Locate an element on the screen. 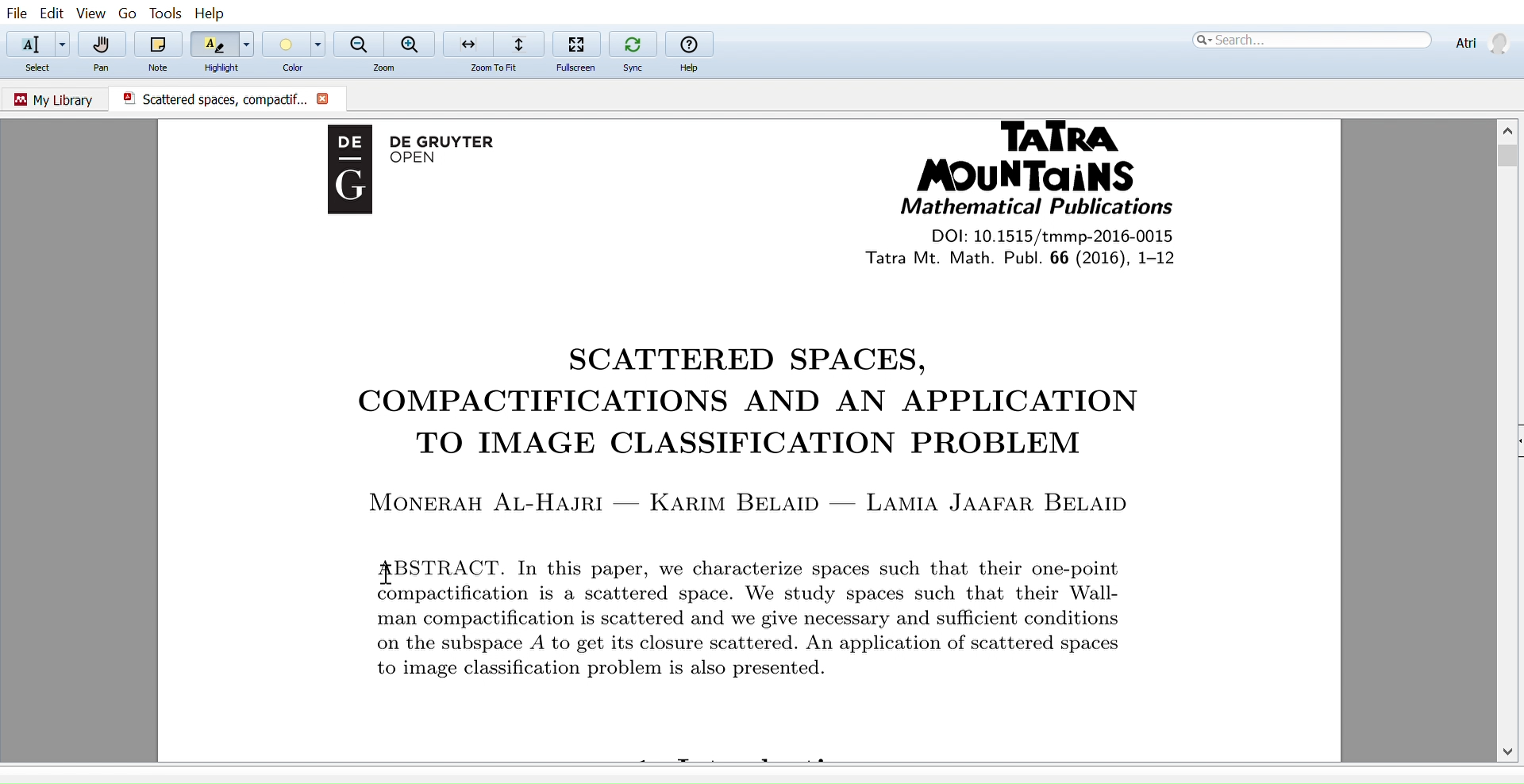 The width and height of the screenshot is (1524, 784). COMPACTIFICATIONS AND AN APPLICATION is located at coordinates (733, 404).